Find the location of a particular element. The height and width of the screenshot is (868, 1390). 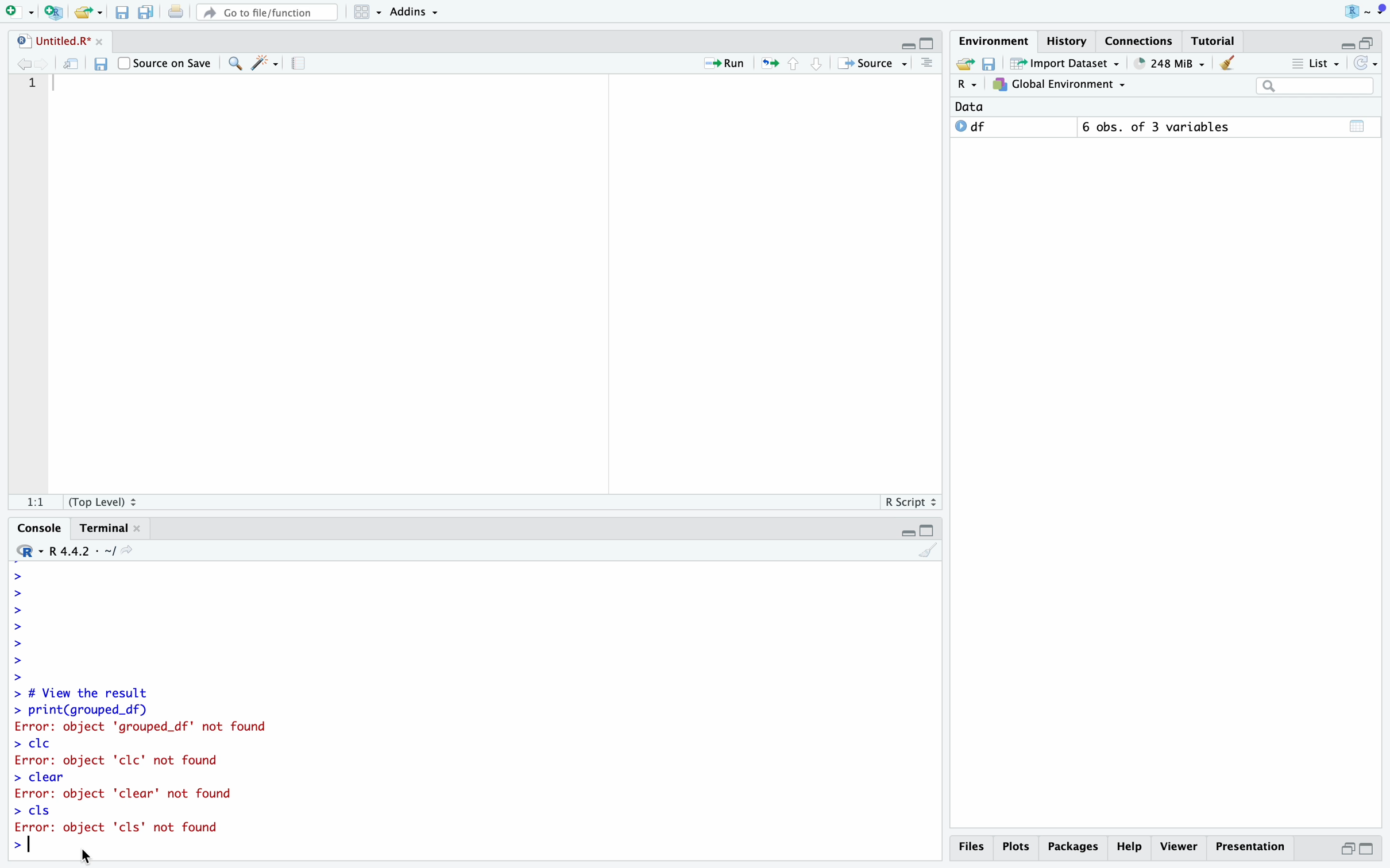

O df is located at coordinates (1013, 127).